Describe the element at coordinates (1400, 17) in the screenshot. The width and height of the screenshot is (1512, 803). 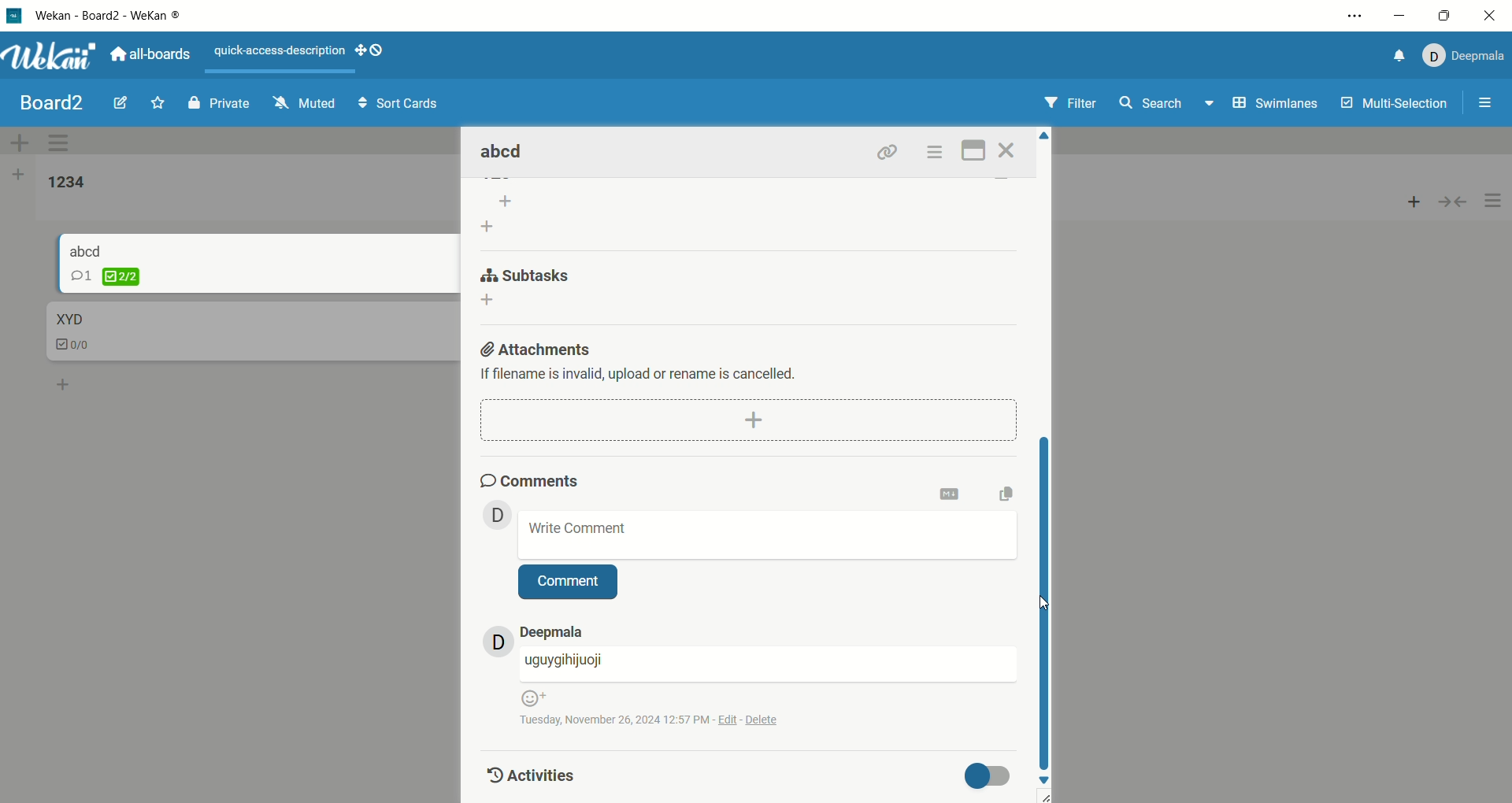
I see `minimize` at that location.